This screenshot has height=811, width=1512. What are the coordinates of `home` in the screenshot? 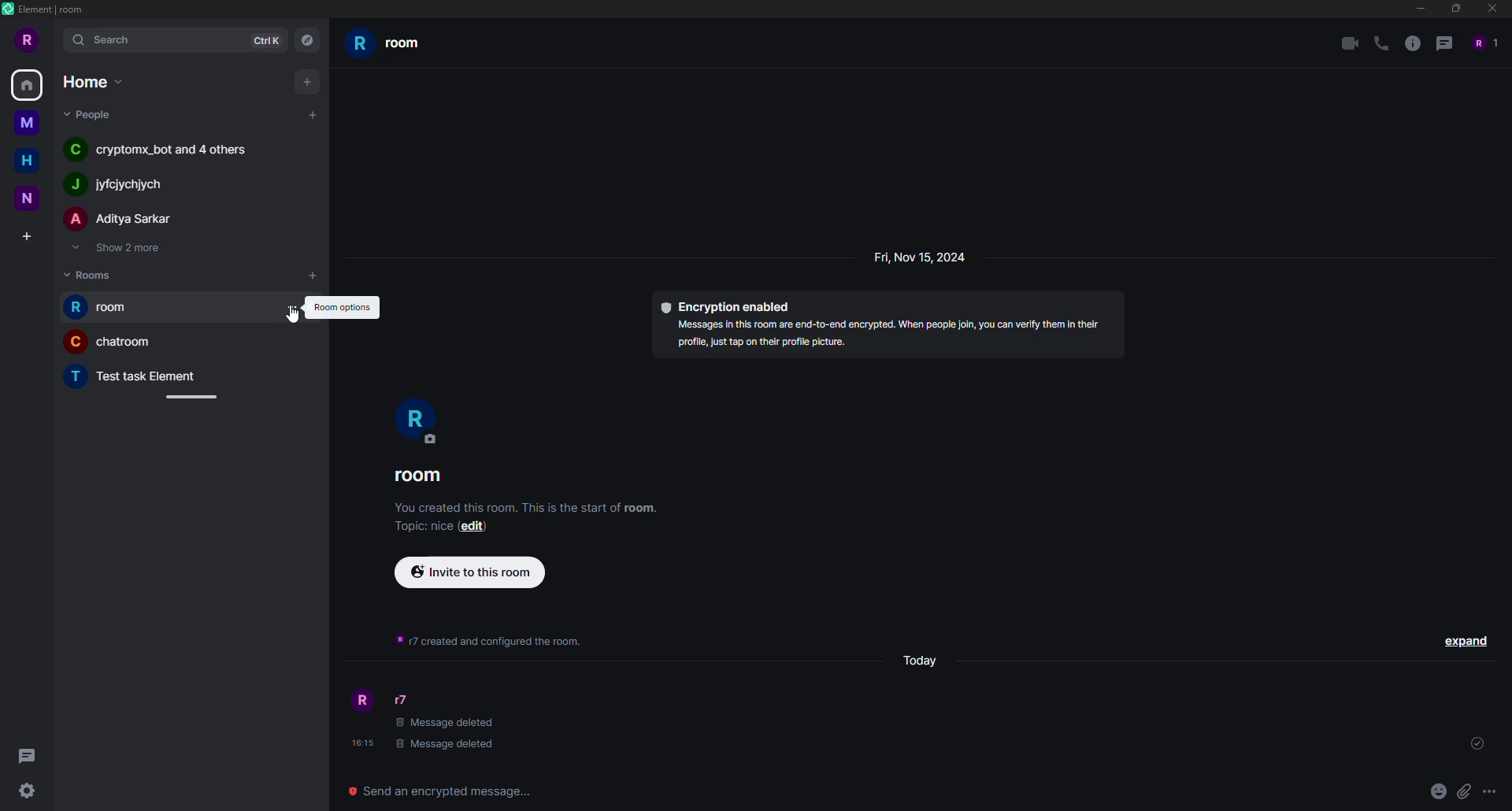 It's located at (30, 86).